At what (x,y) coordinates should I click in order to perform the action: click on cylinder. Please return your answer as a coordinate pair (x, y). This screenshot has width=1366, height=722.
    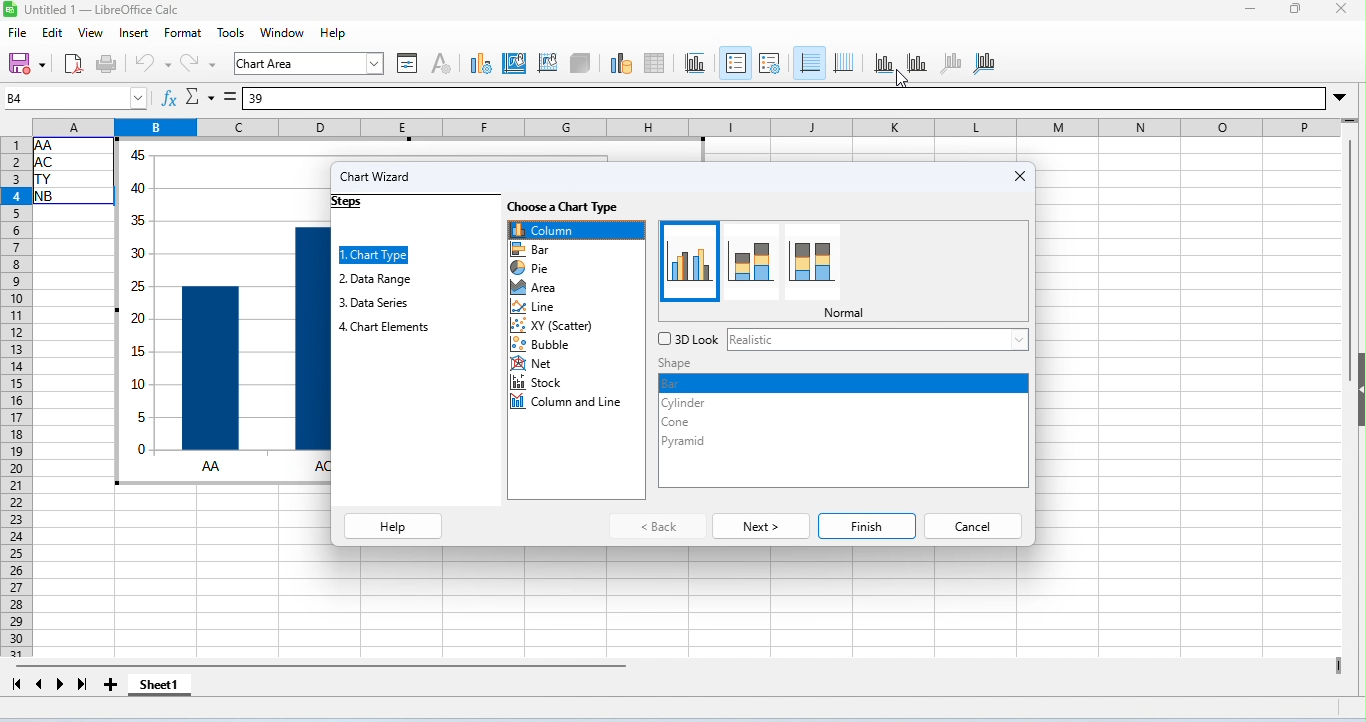
    Looking at the image, I should click on (709, 402).